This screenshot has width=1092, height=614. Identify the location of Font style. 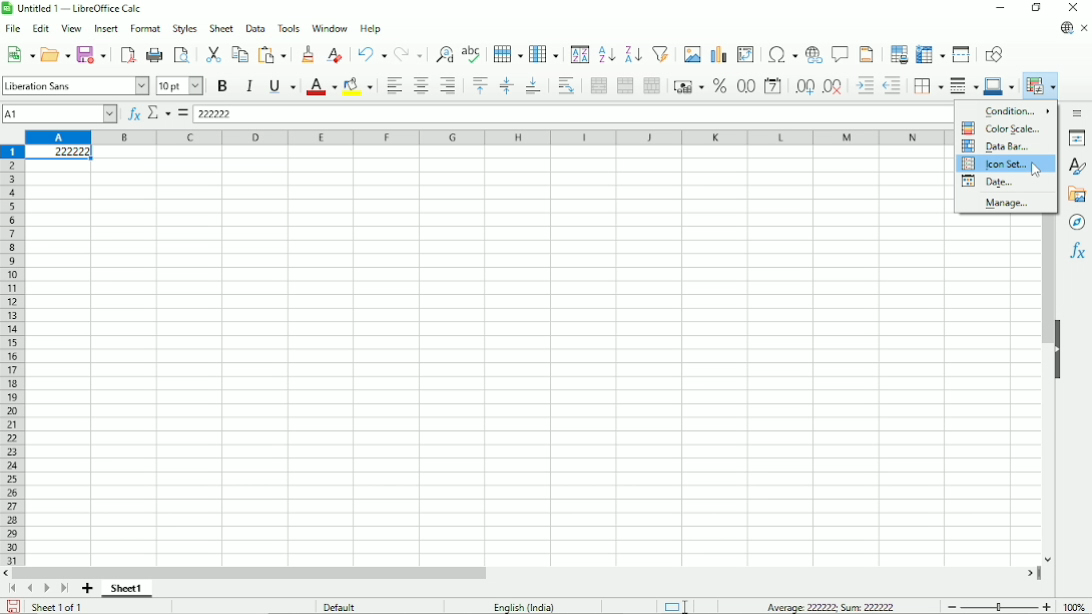
(75, 86).